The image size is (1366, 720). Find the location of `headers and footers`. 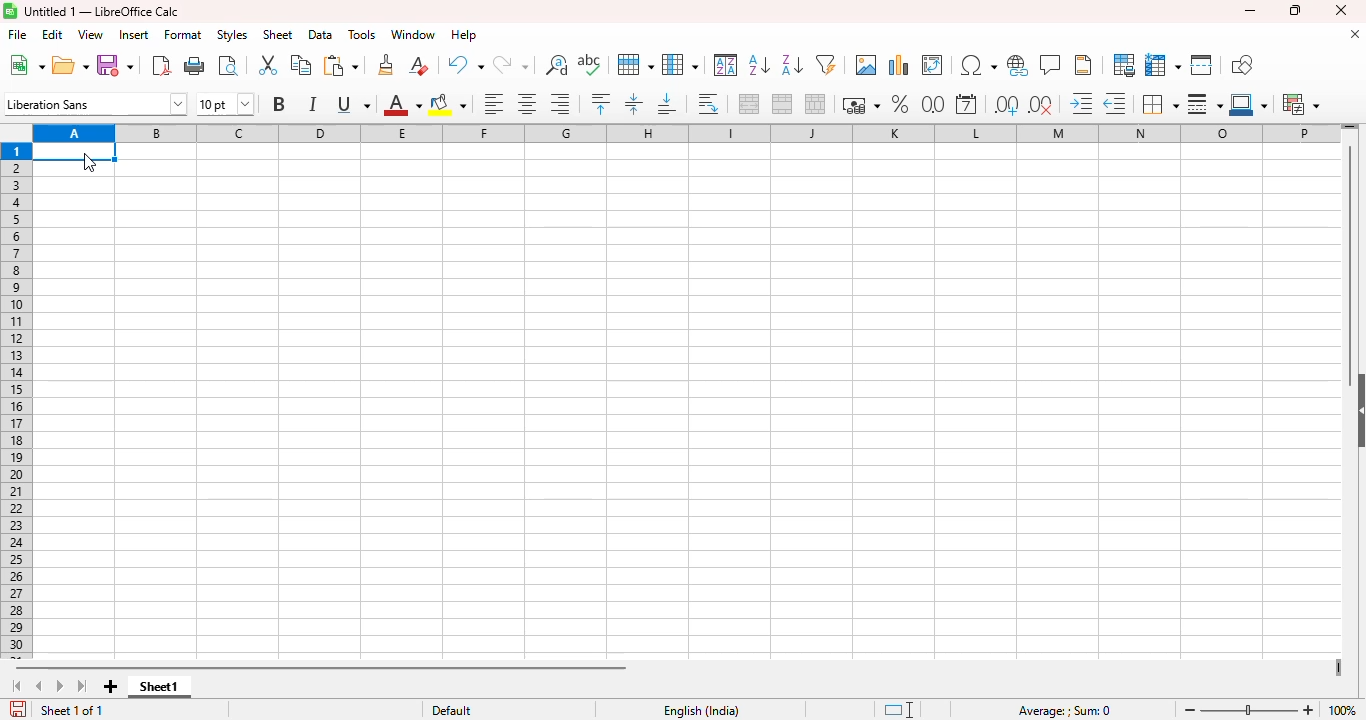

headers and footers is located at coordinates (1084, 65).